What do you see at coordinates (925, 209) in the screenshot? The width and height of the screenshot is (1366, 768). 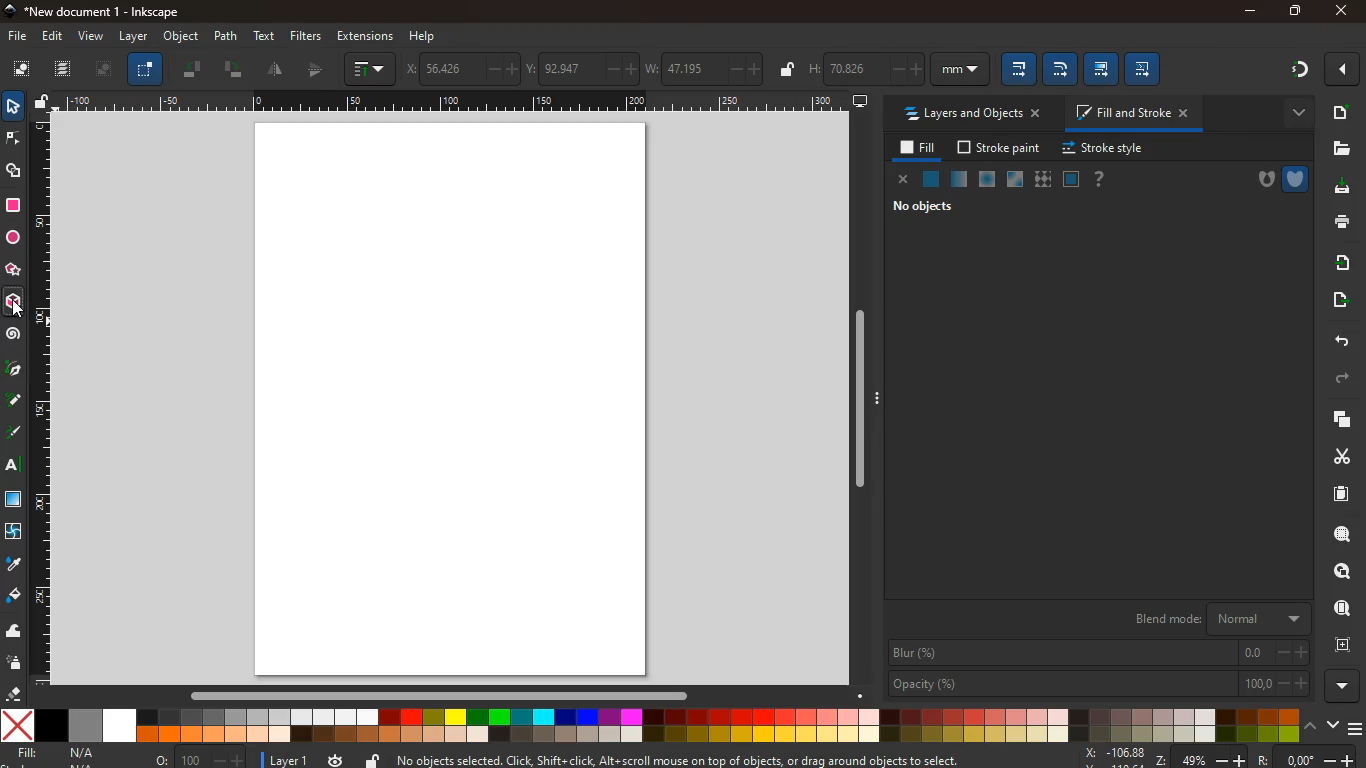 I see `no objects` at bounding box center [925, 209].